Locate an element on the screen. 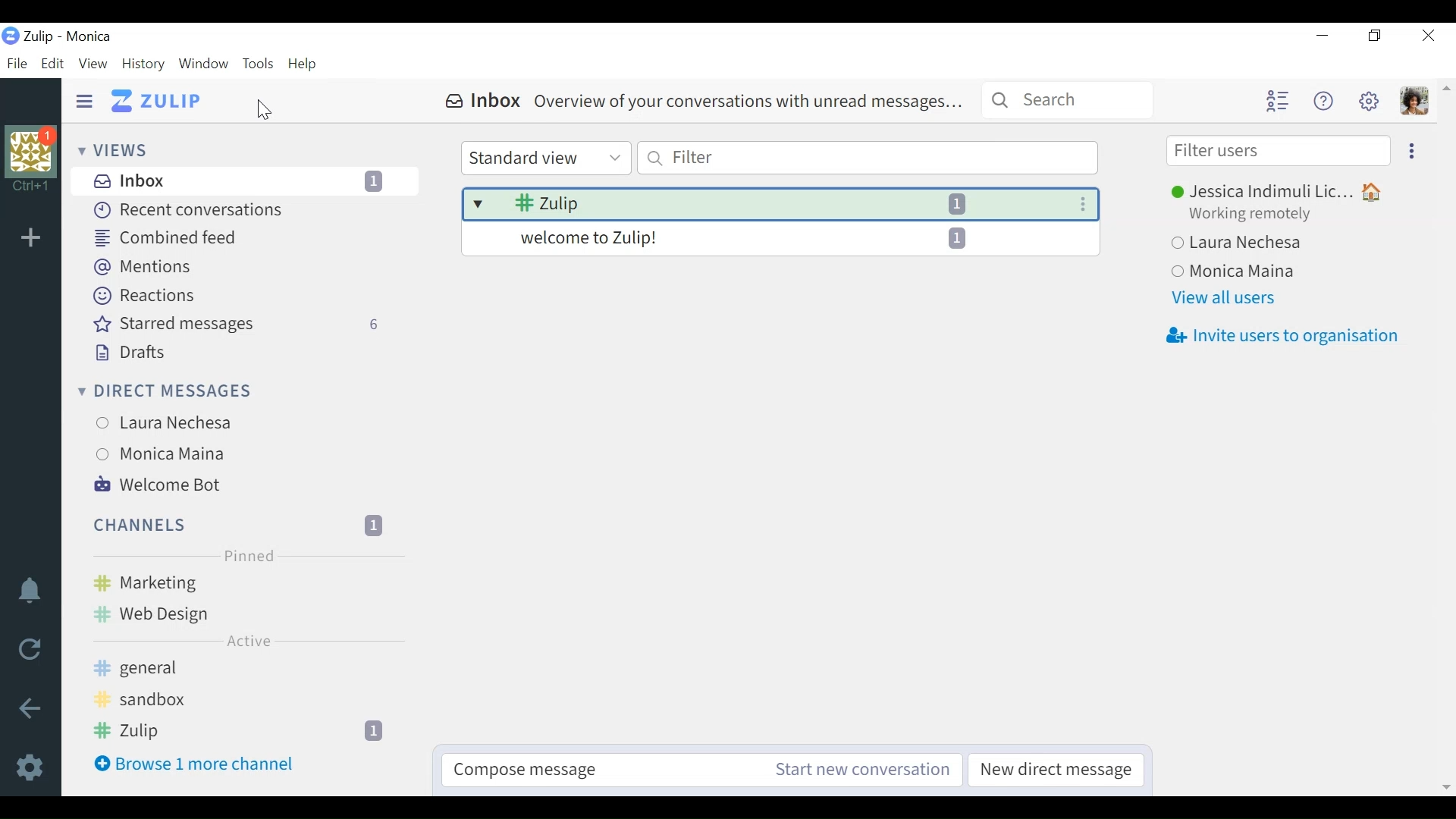 This screenshot has width=1456, height=819. channel is located at coordinates (246, 616).